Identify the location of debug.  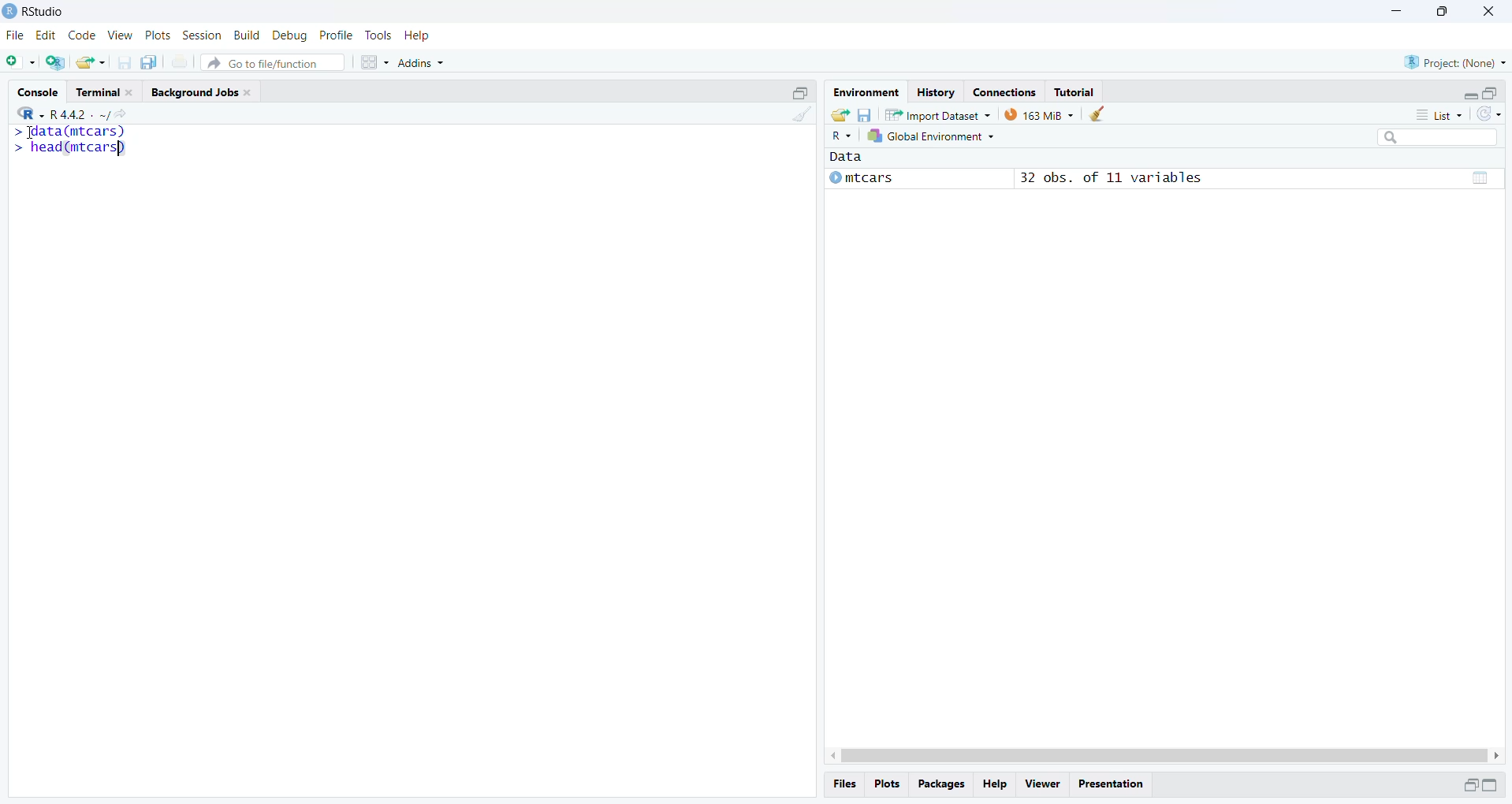
(289, 35).